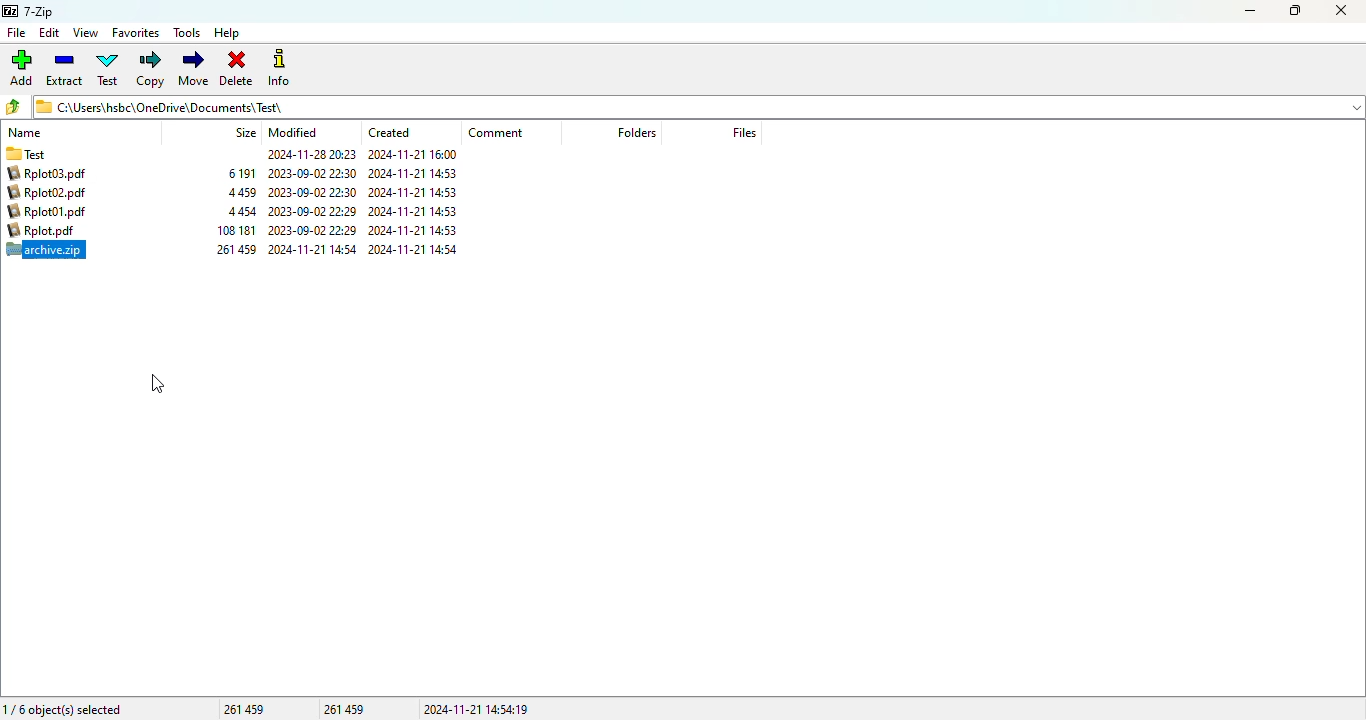  Describe the element at coordinates (150, 69) in the screenshot. I see `copy` at that location.